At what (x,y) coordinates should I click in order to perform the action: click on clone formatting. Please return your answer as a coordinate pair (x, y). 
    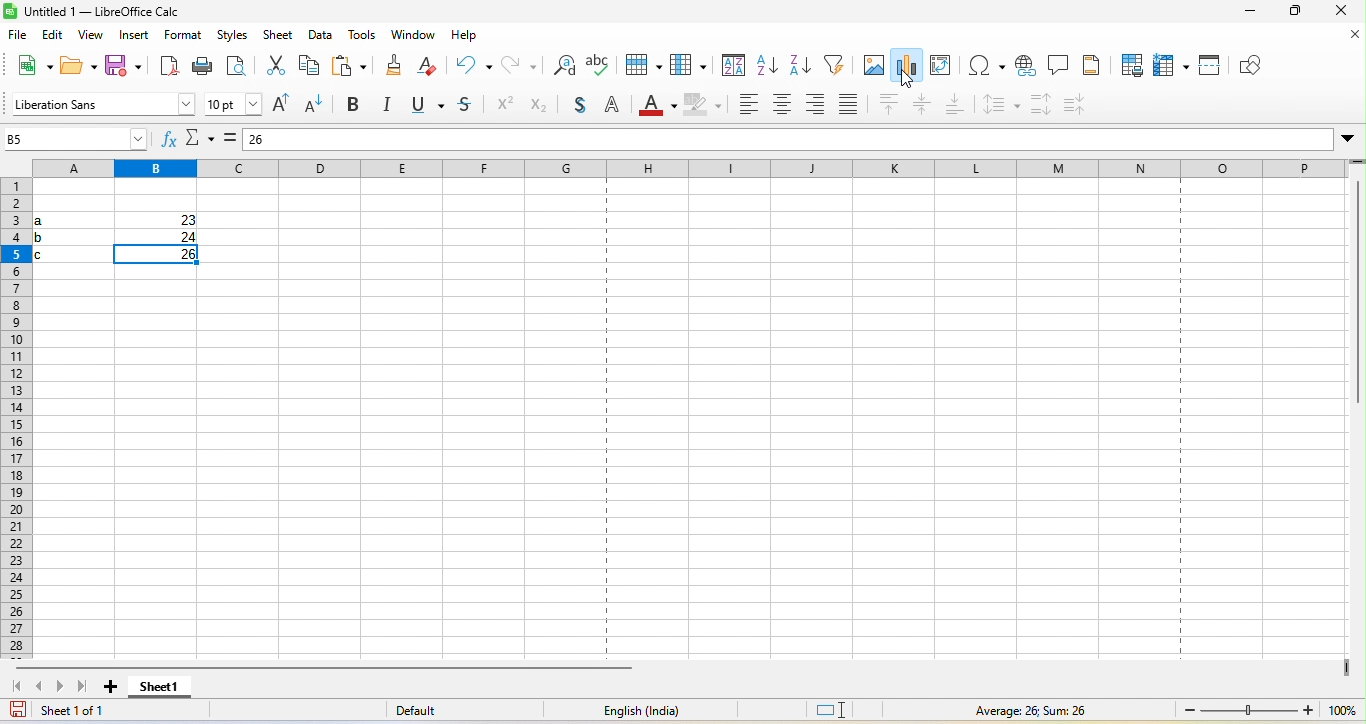
    Looking at the image, I should click on (395, 66).